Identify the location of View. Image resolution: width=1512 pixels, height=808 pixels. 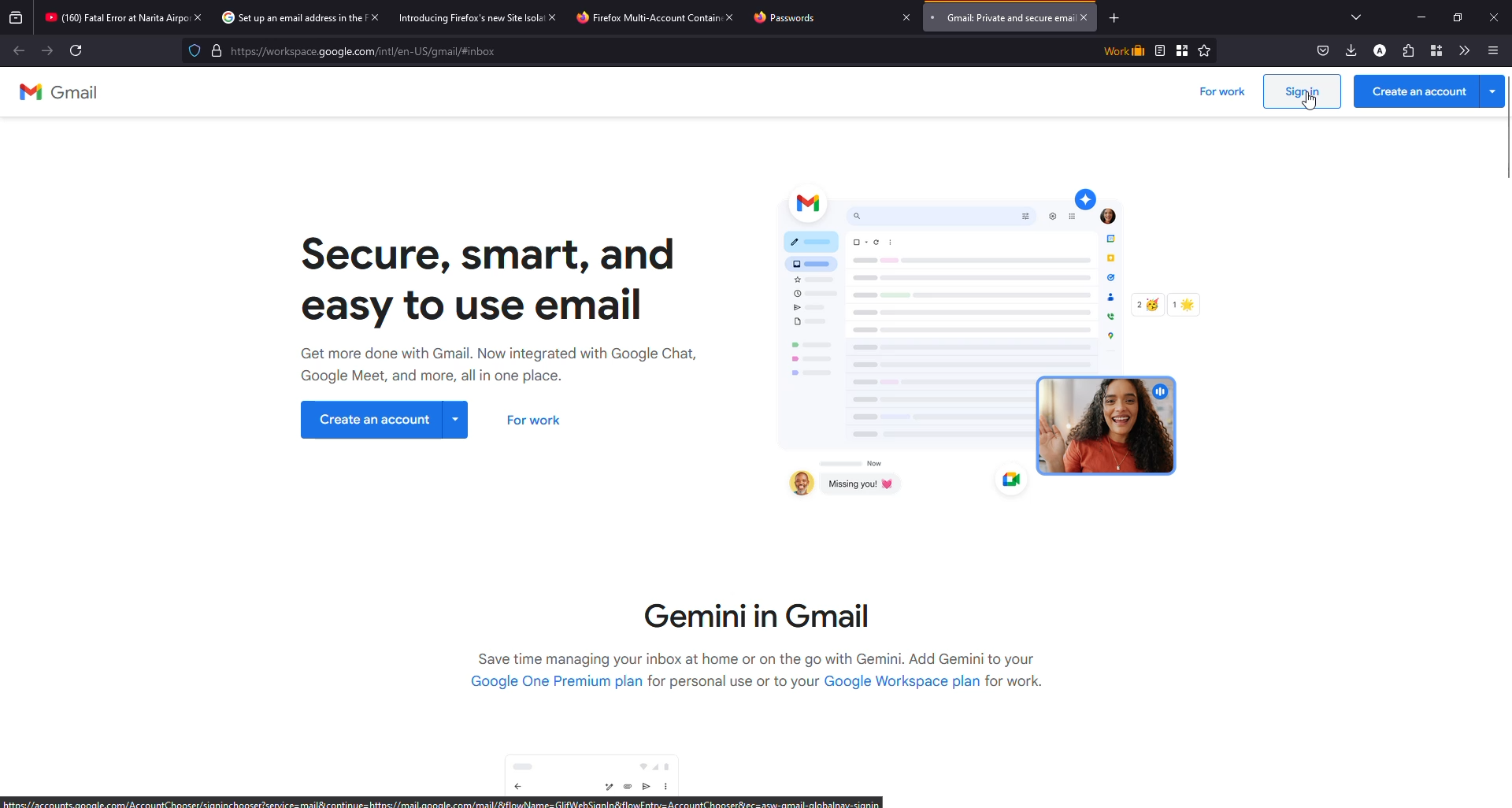
(1160, 50).